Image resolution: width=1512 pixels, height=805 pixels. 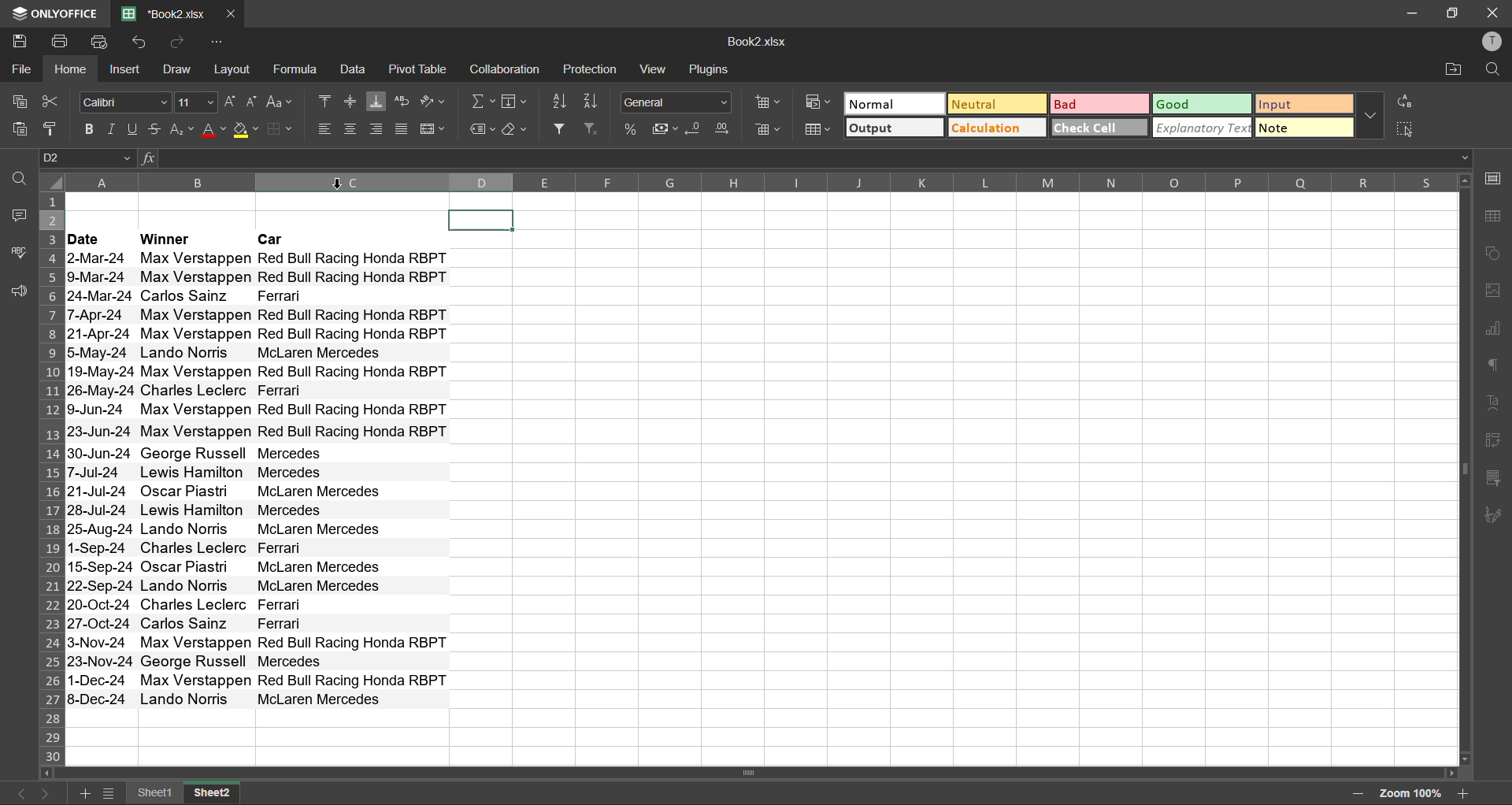 What do you see at coordinates (820, 103) in the screenshot?
I see `conditional formatting` at bounding box center [820, 103].